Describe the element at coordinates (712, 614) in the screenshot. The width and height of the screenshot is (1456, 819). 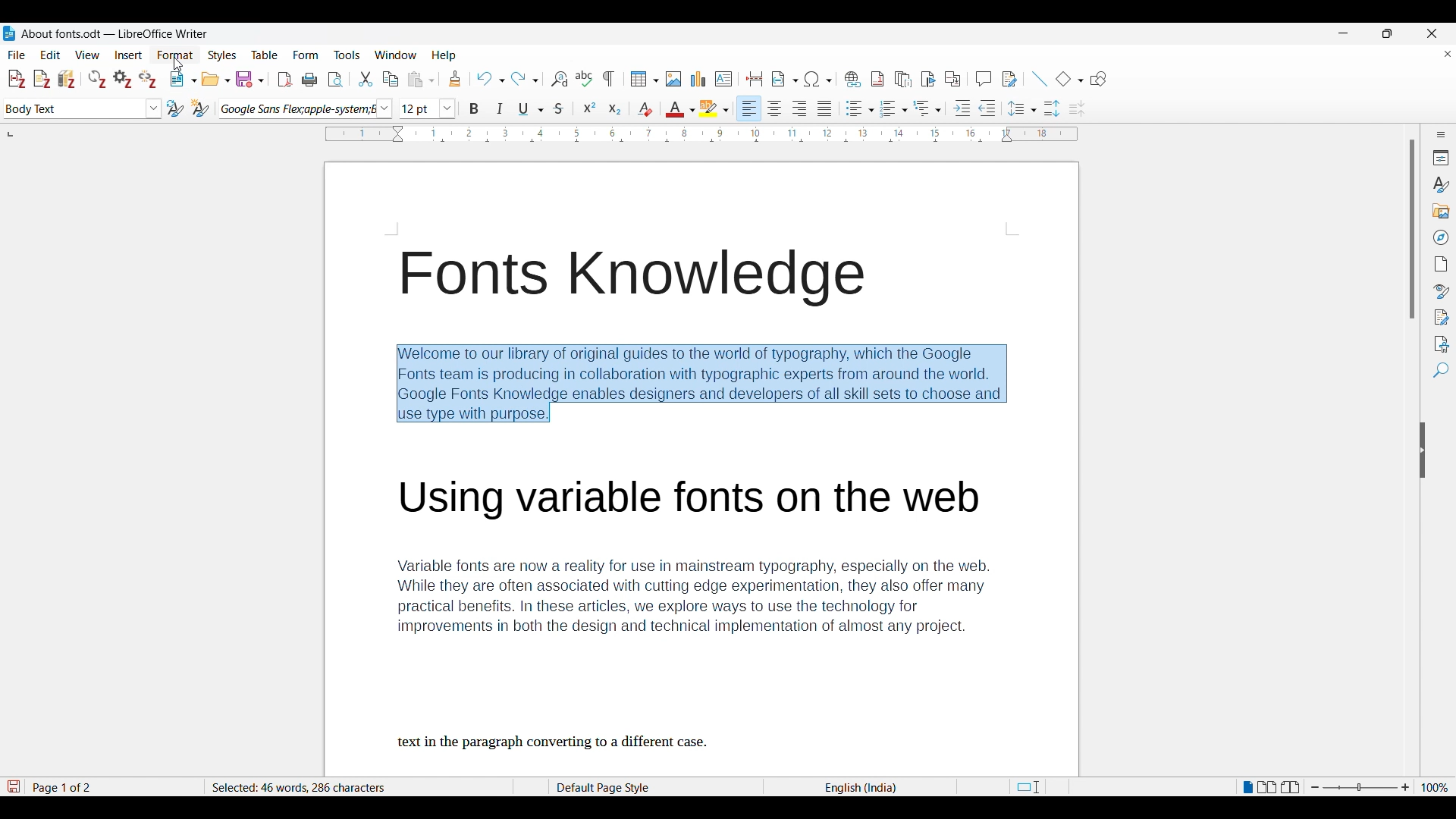
I see `Variable fonts are now a reality for use in mainstream typography, especially on the web.
While they are often associated with cutting edge experimentation, they also offer many
practical benefits. In these articles, we explore ways to use the technology for
improvements in both the design and technical implementation of almost any project.
text in the paragraph converting to a different case.` at that location.